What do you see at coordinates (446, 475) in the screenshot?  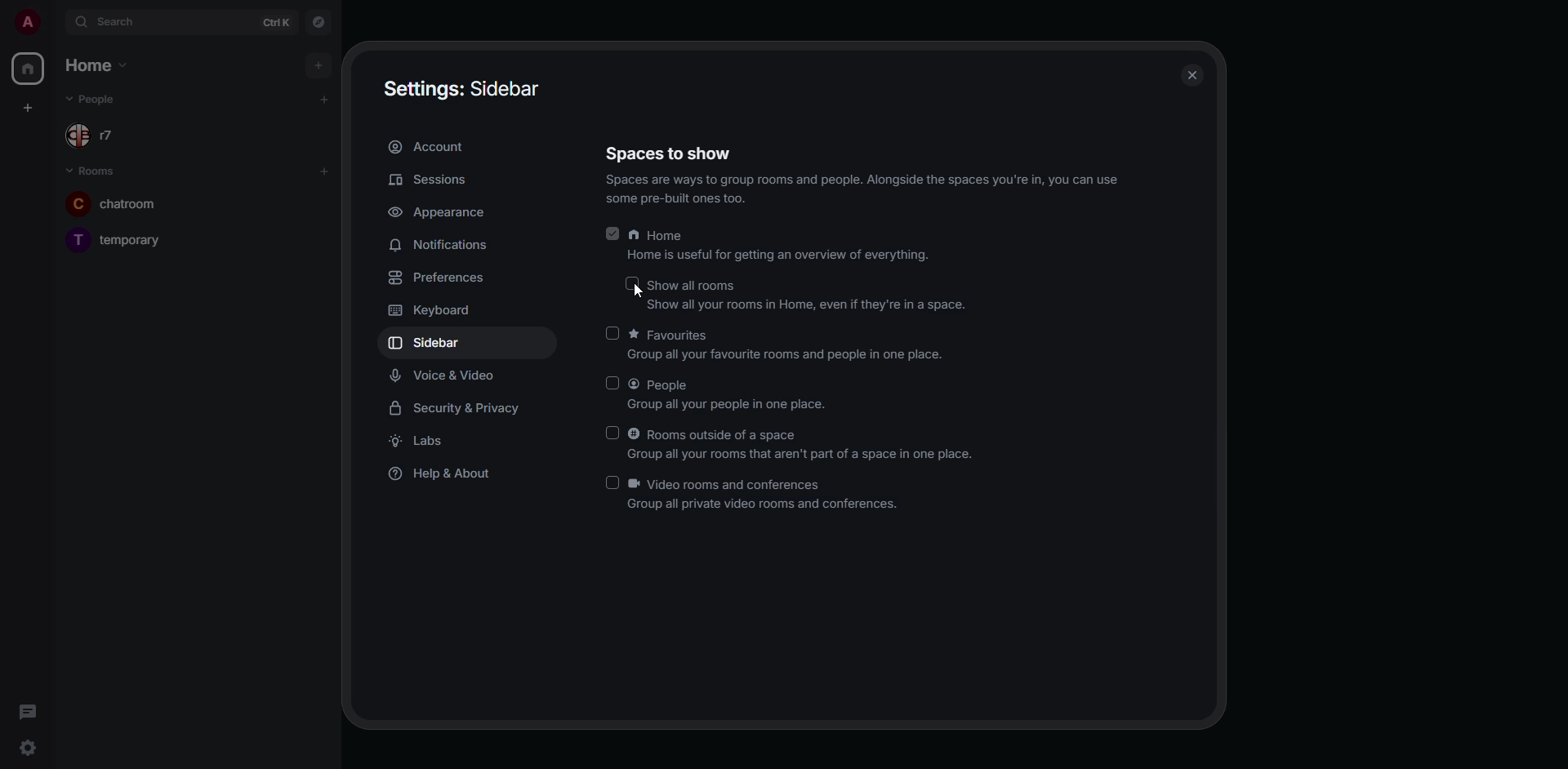 I see `help & about` at bounding box center [446, 475].